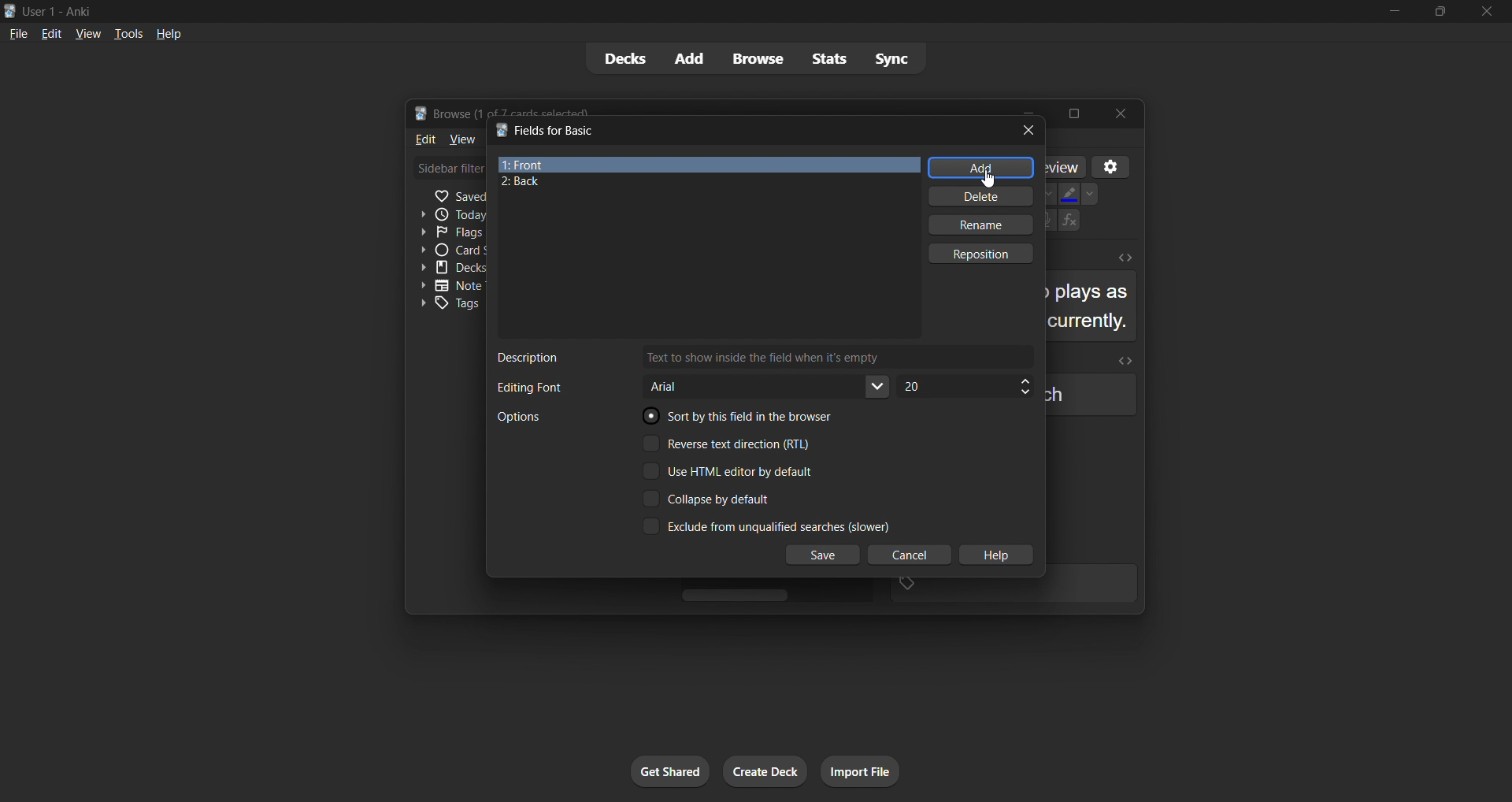 This screenshot has width=1512, height=802. Describe the element at coordinates (987, 254) in the screenshot. I see `reposition field` at that location.